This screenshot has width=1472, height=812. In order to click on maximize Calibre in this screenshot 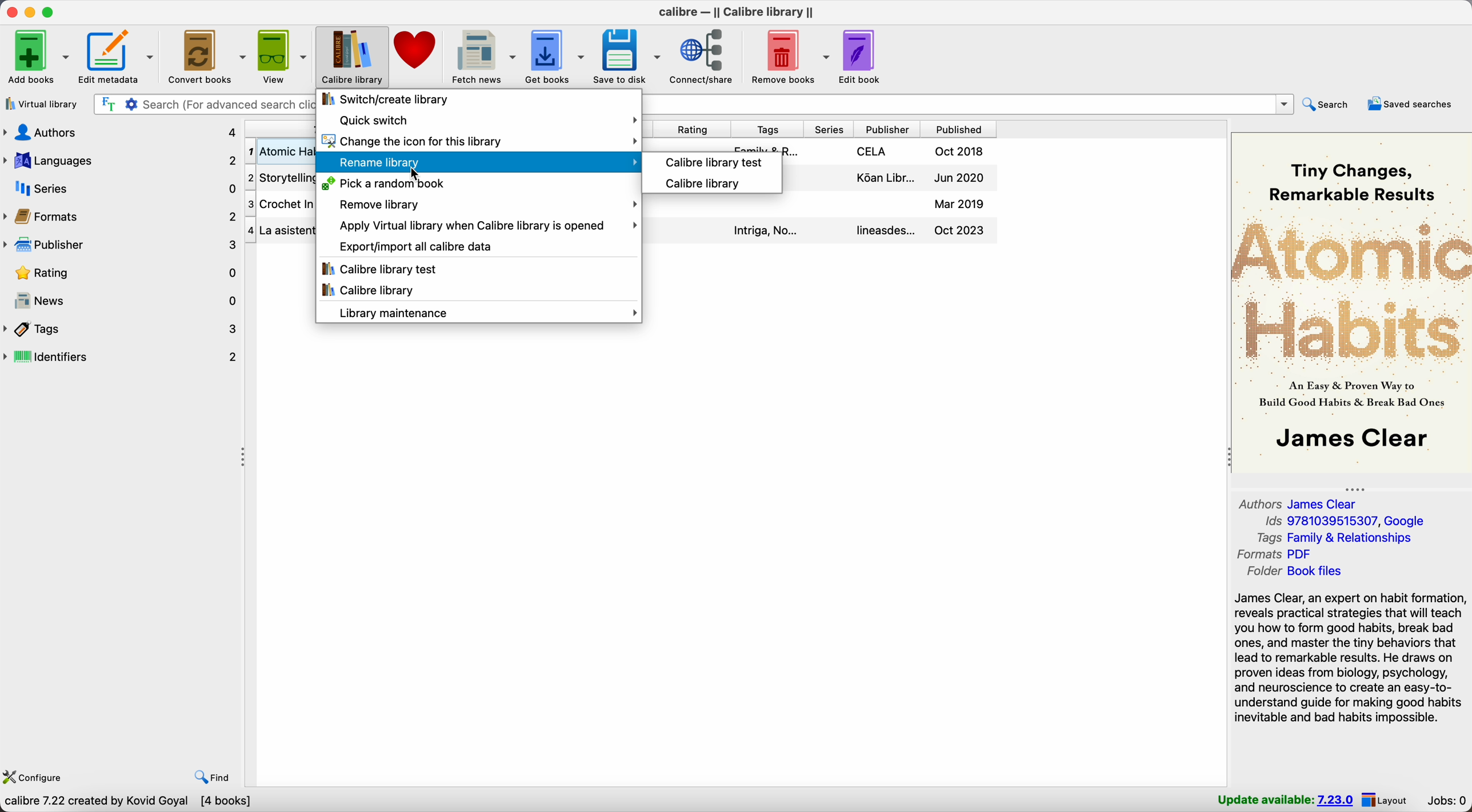, I will do `click(50, 11)`.